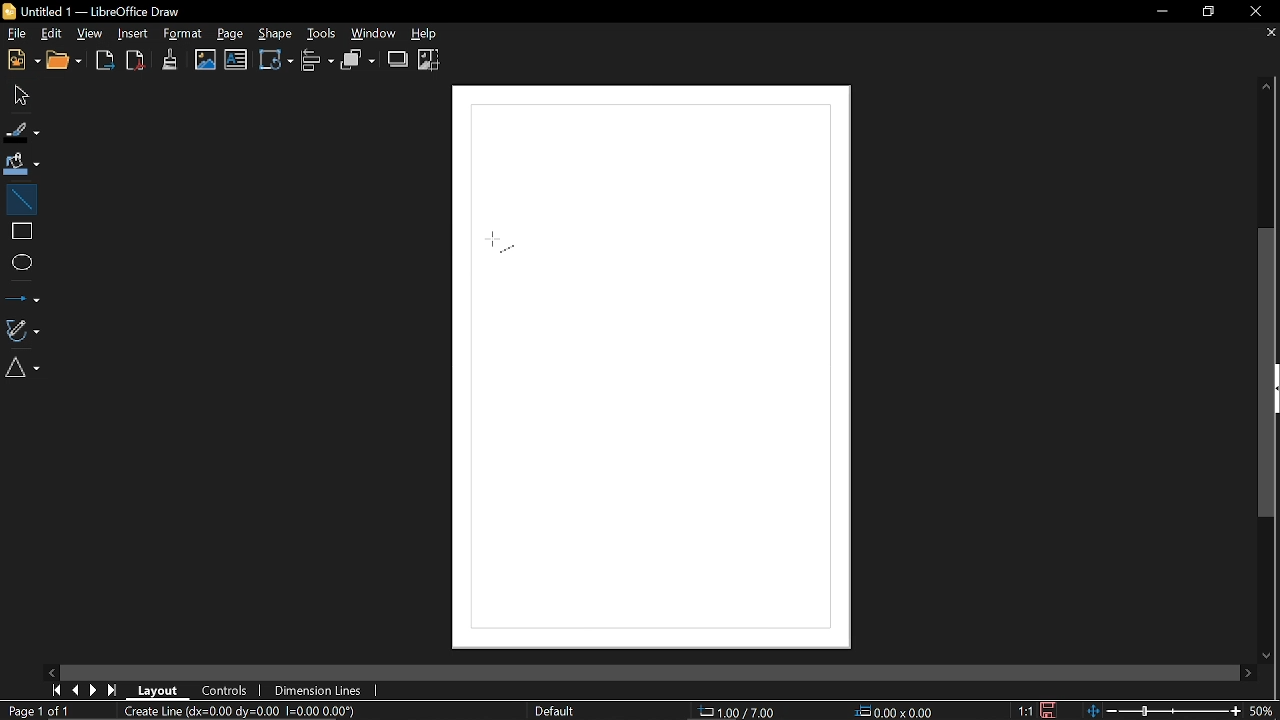 This screenshot has width=1280, height=720. What do you see at coordinates (16, 33) in the screenshot?
I see `File` at bounding box center [16, 33].